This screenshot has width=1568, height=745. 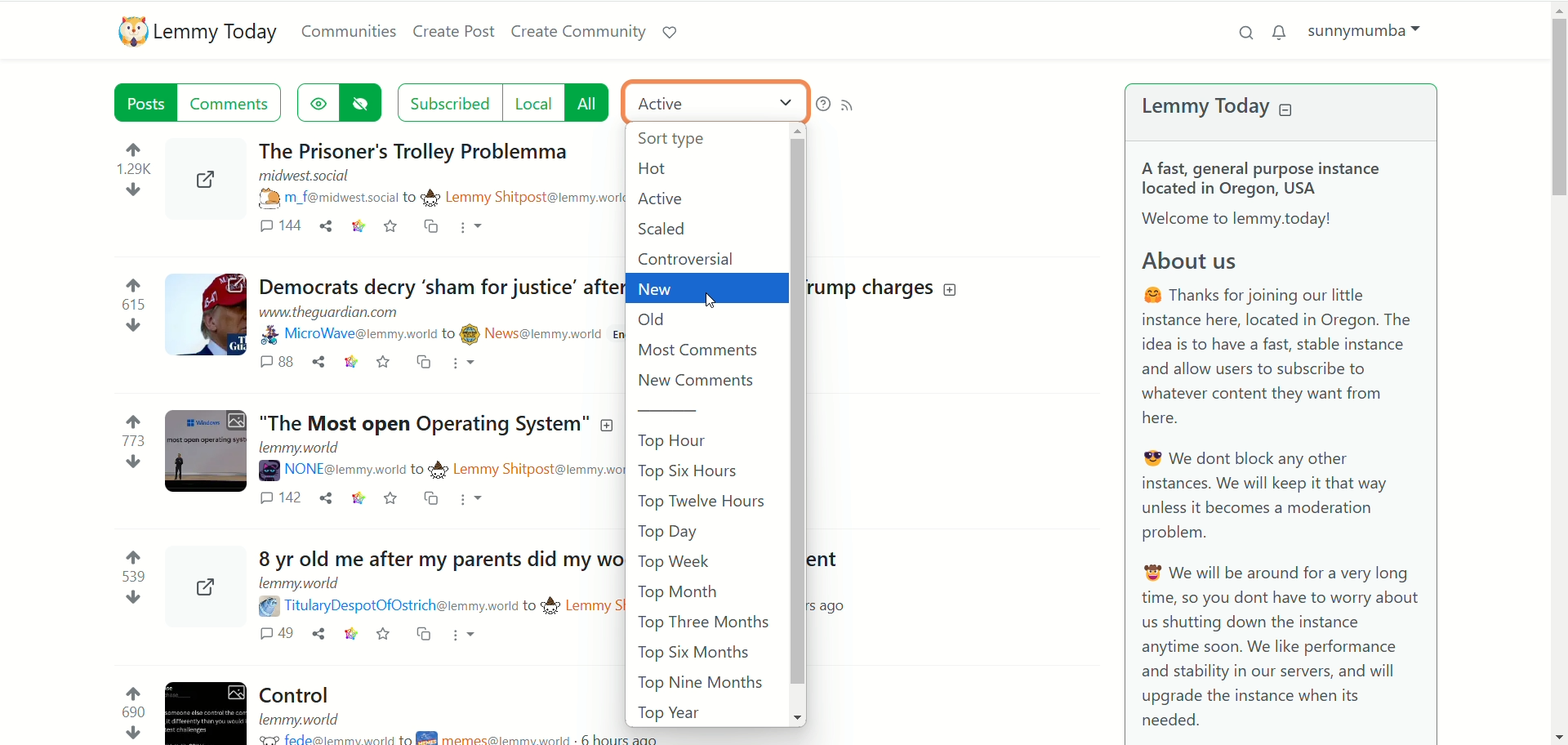 I want to click on vertical scroll bar, so click(x=801, y=422).